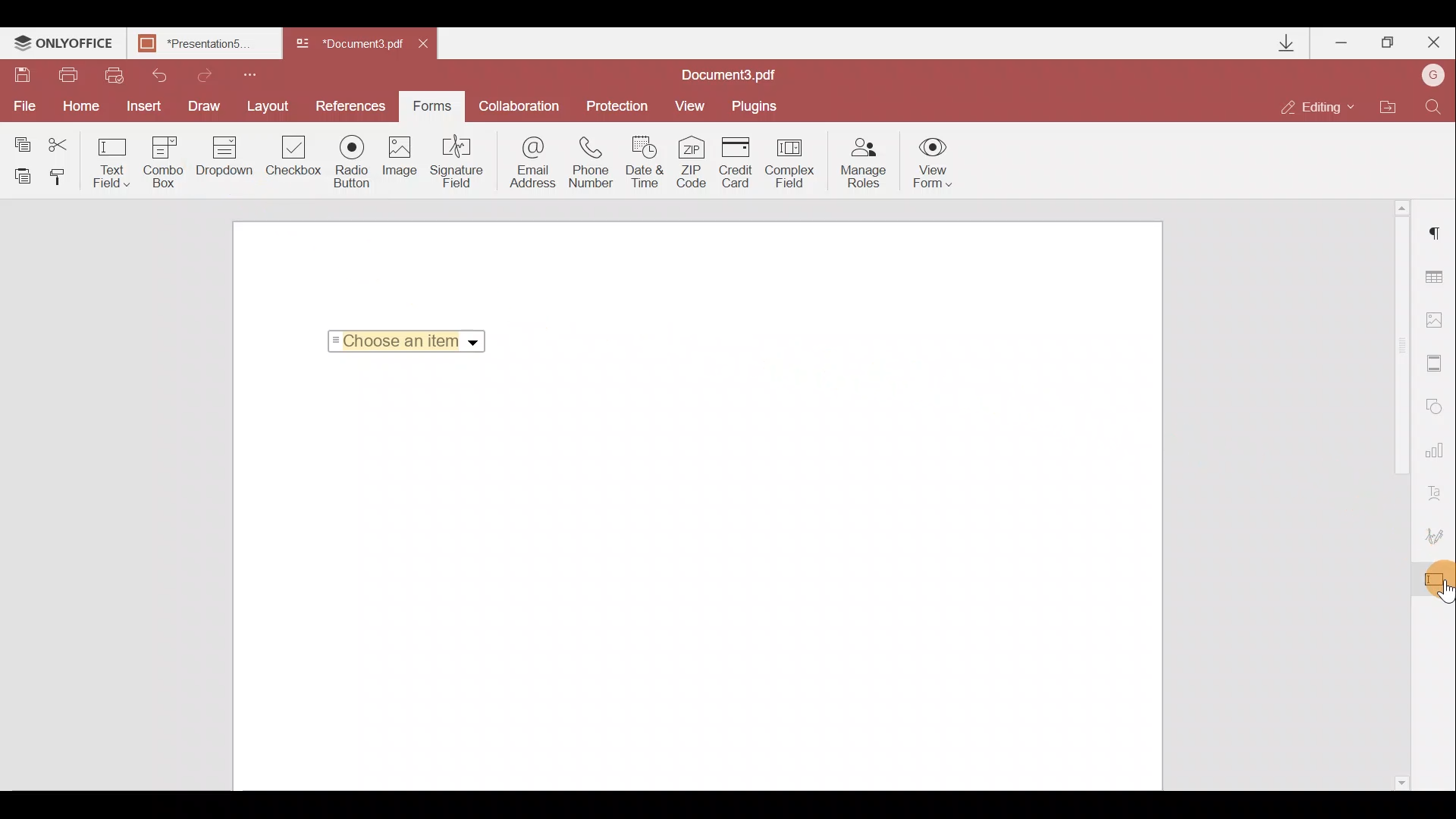  I want to click on Open file location, so click(1389, 106).